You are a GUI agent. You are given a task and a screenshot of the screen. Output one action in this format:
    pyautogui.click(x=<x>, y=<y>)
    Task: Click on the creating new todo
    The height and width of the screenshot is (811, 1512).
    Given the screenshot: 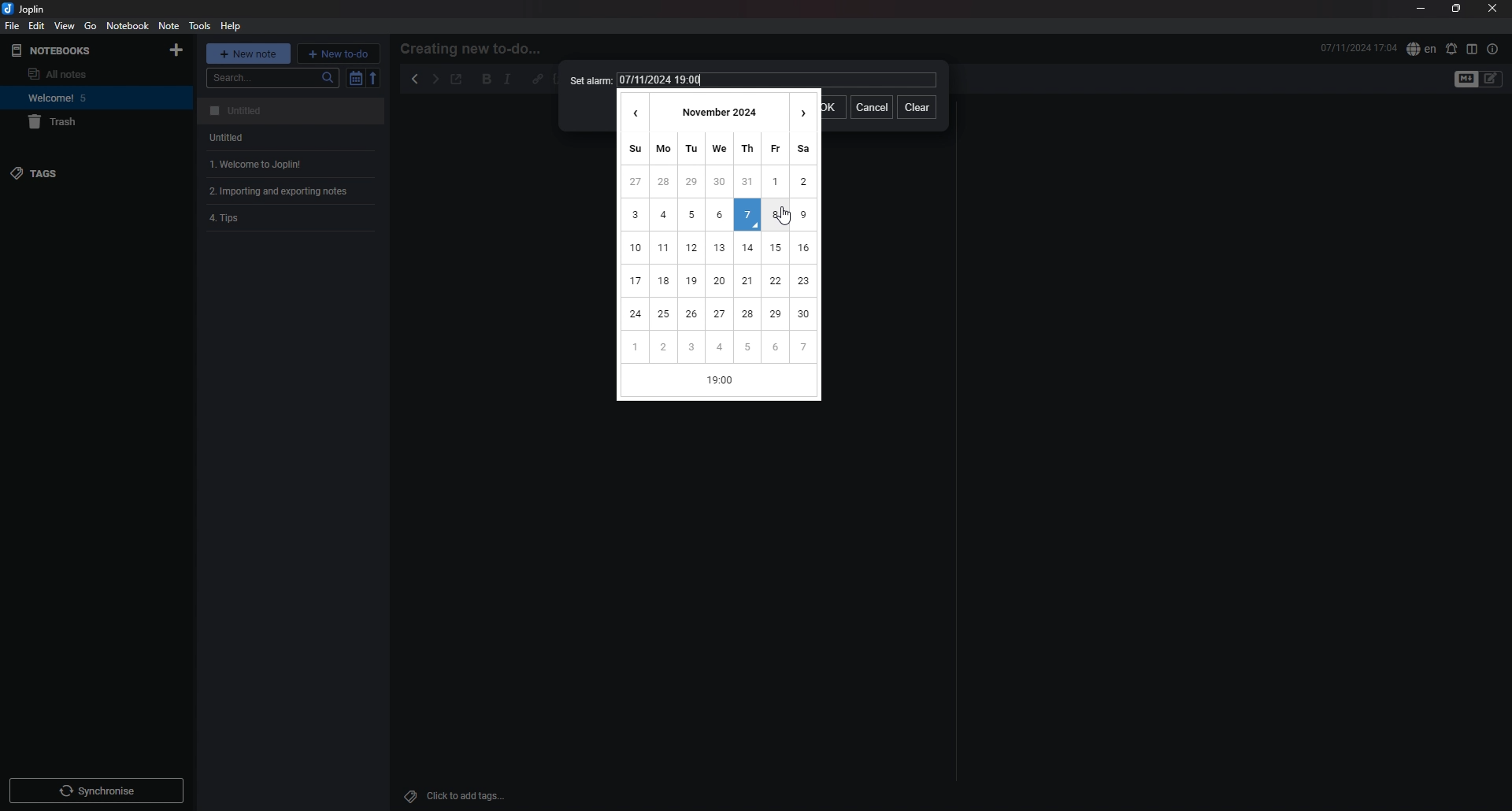 What is the action you would take?
    pyautogui.click(x=476, y=49)
    